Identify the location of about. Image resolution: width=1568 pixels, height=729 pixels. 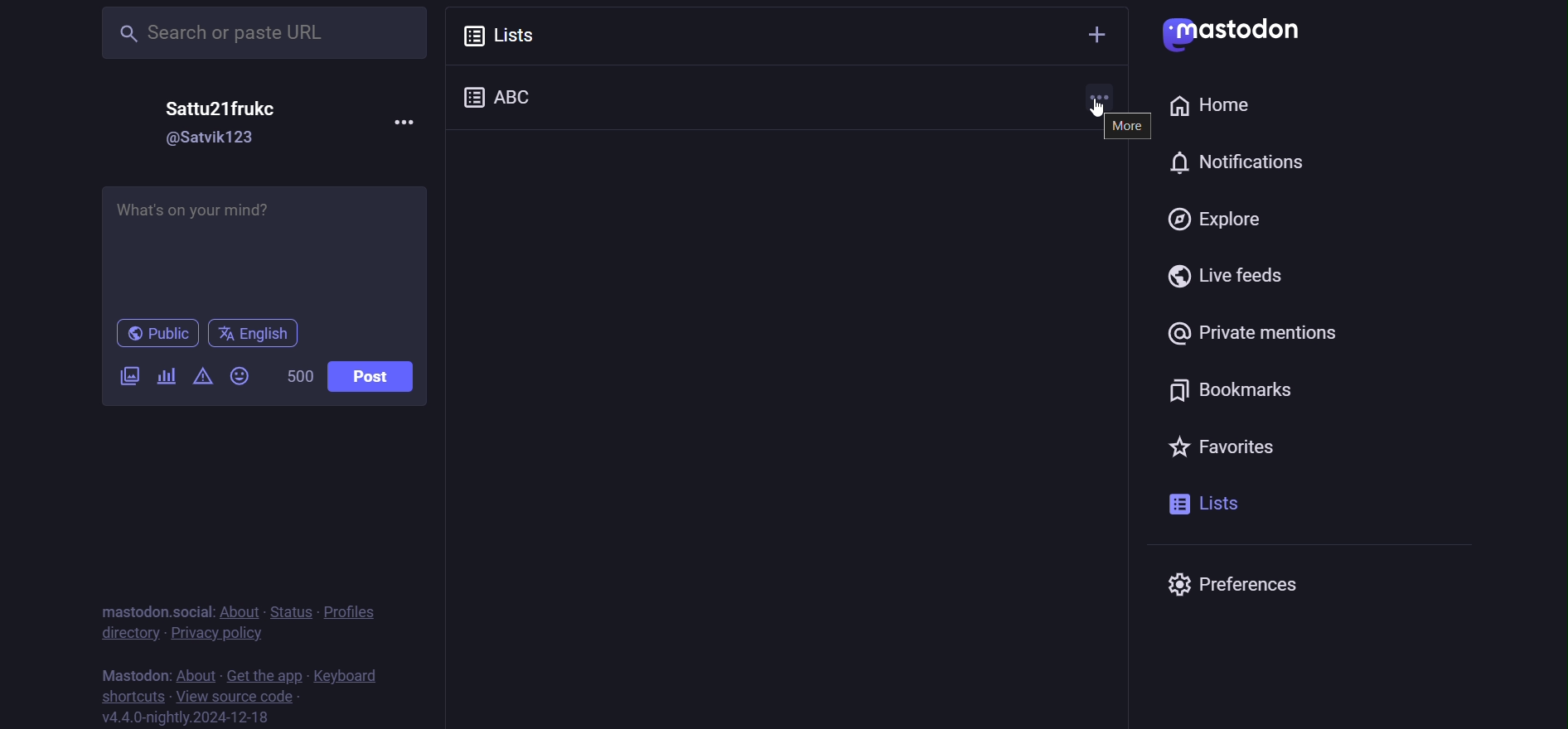
(236, 608).